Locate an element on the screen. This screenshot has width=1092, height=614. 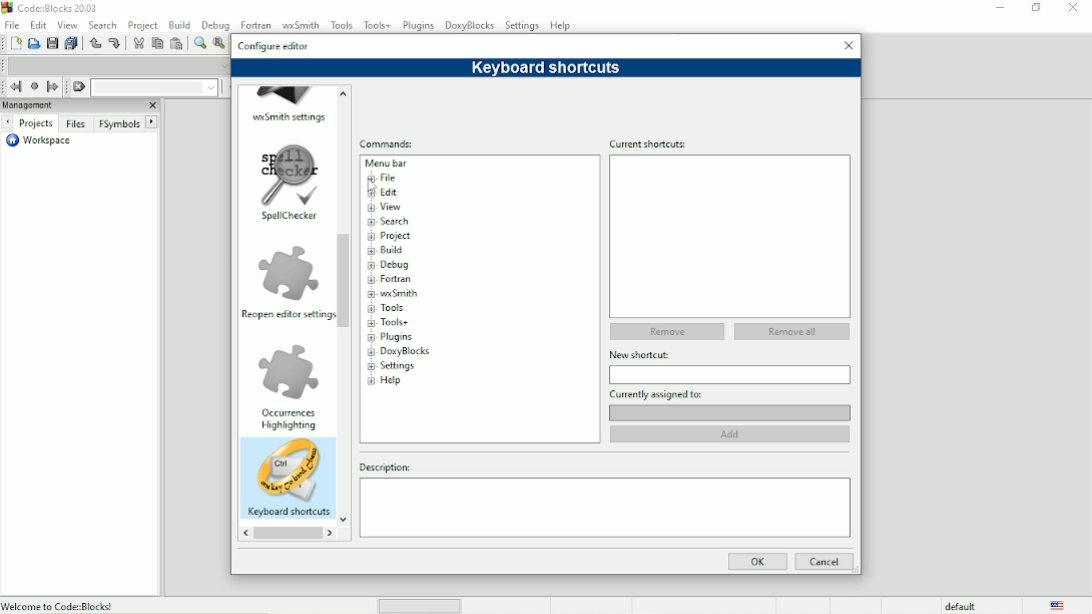
Open is located at coordinates (33, 43).